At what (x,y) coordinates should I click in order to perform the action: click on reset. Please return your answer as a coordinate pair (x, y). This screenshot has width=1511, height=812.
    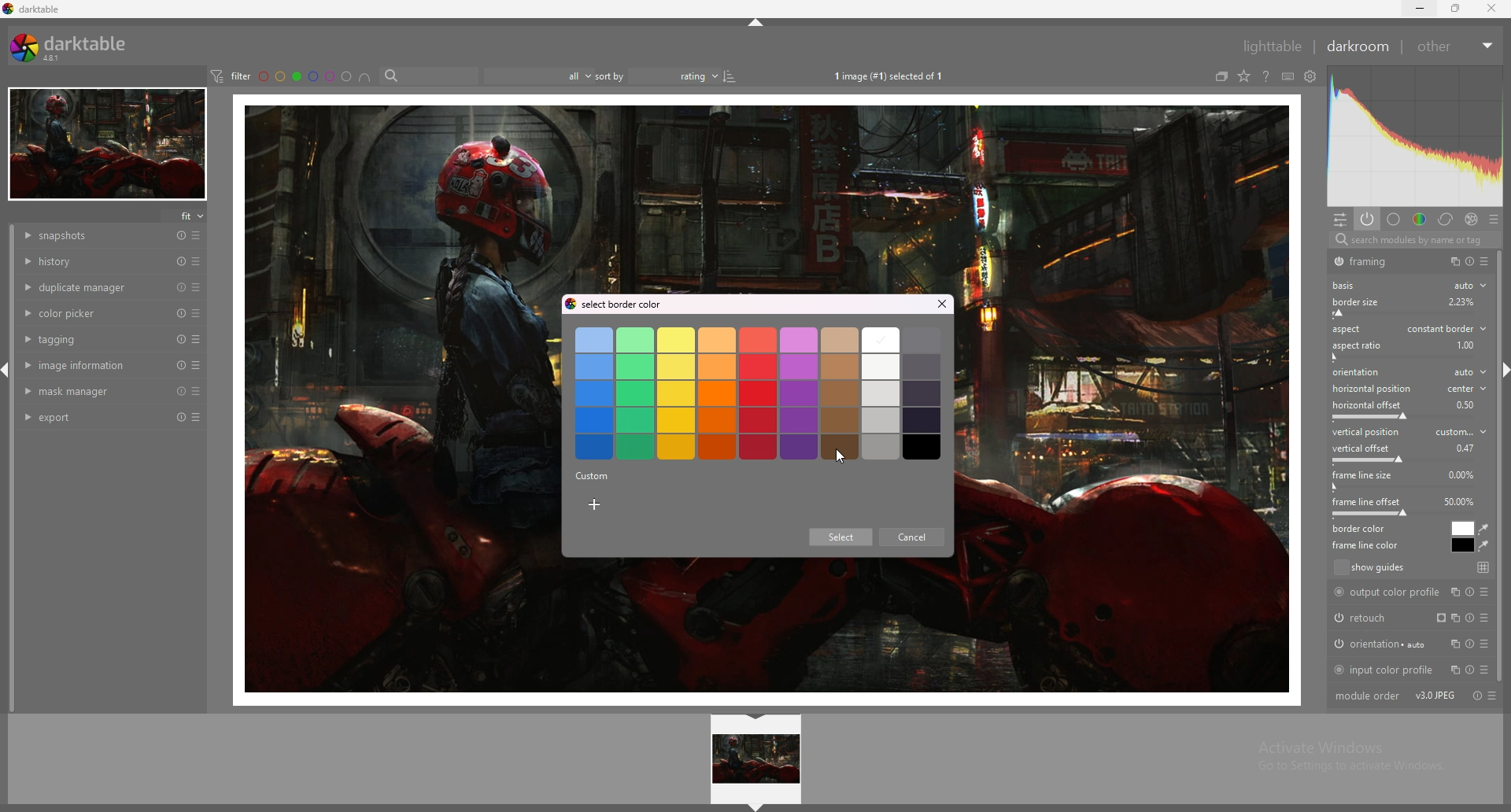
    Looking at the image, I should click on (181, 287).